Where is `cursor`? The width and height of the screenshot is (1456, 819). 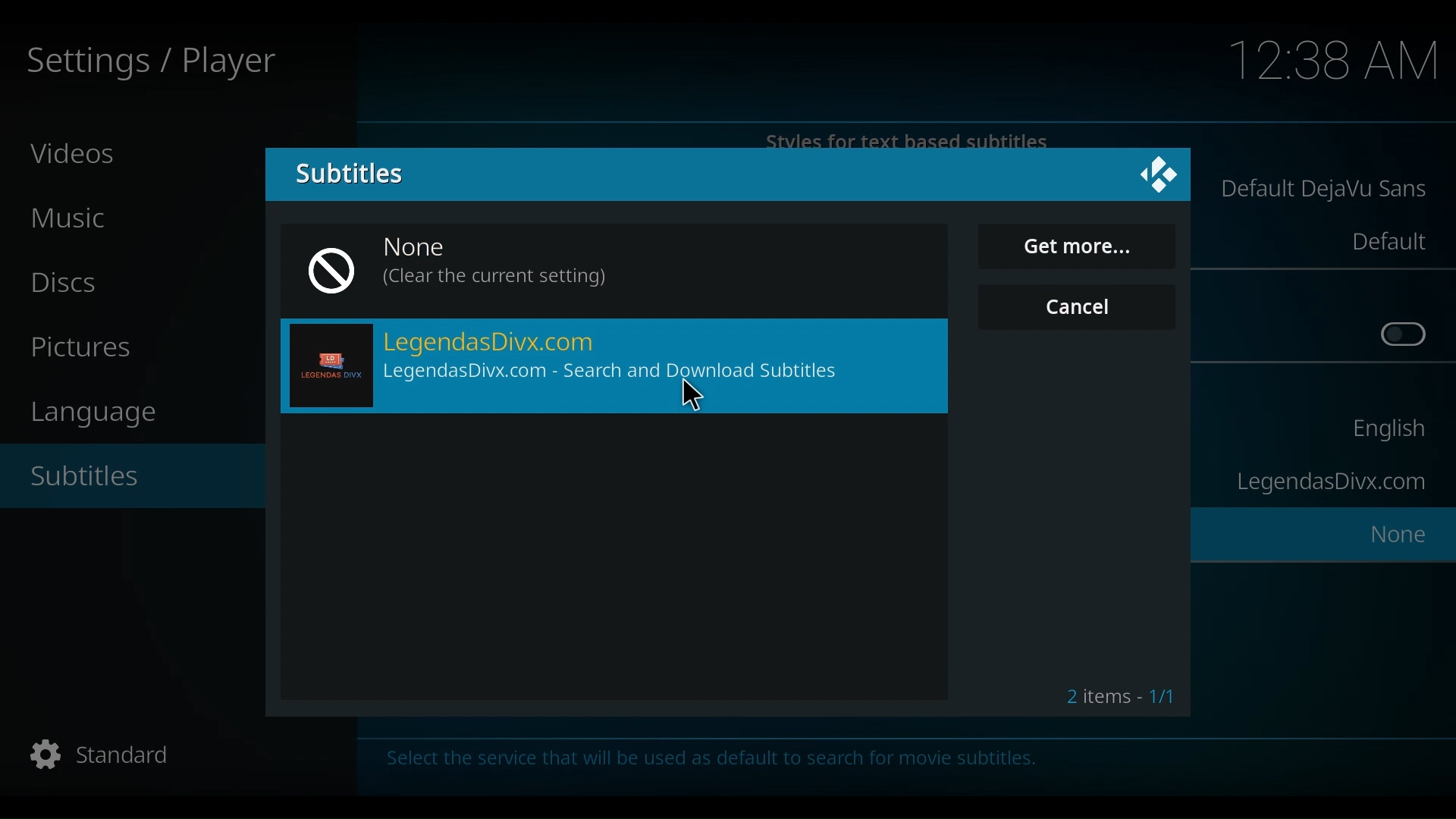 cursor is located at coordinates (692, 397).